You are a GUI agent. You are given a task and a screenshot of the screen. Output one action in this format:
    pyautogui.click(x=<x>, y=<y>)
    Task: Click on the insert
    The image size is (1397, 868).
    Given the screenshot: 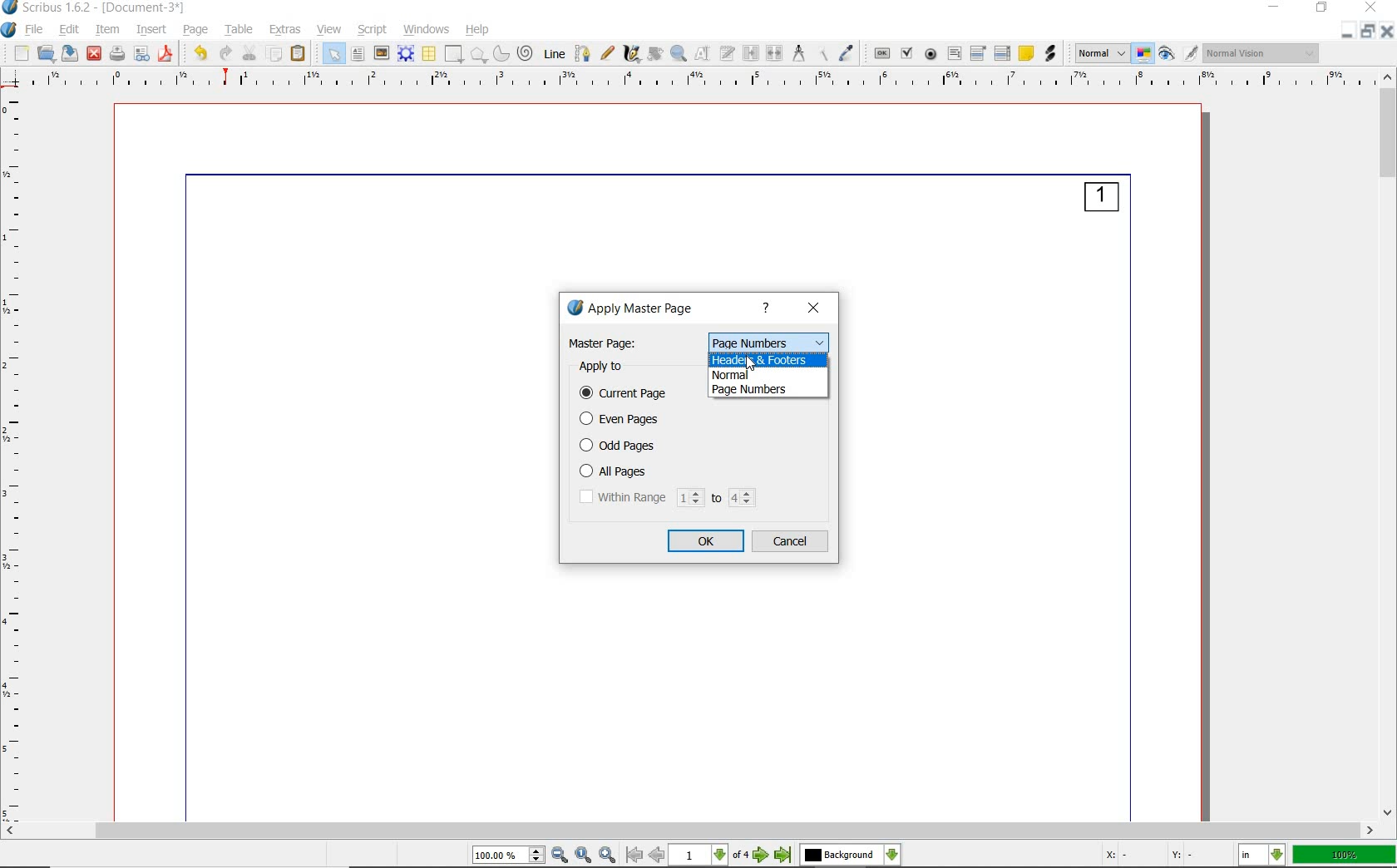 What is the action you would take?
    pyautogui.click(x=151, y=31)
    